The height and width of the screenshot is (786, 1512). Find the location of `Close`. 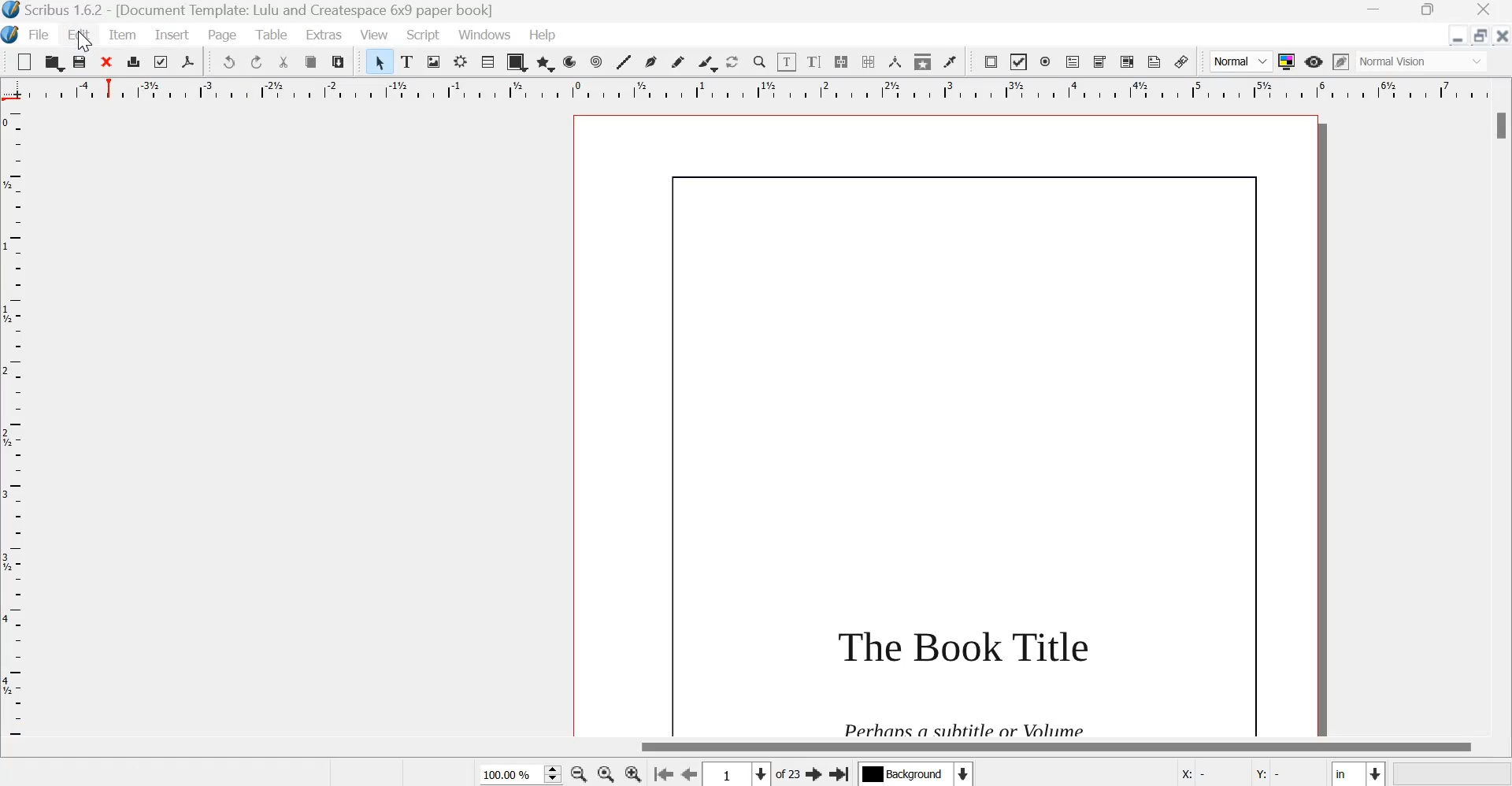

Close is located at coordinates (1484, 9).